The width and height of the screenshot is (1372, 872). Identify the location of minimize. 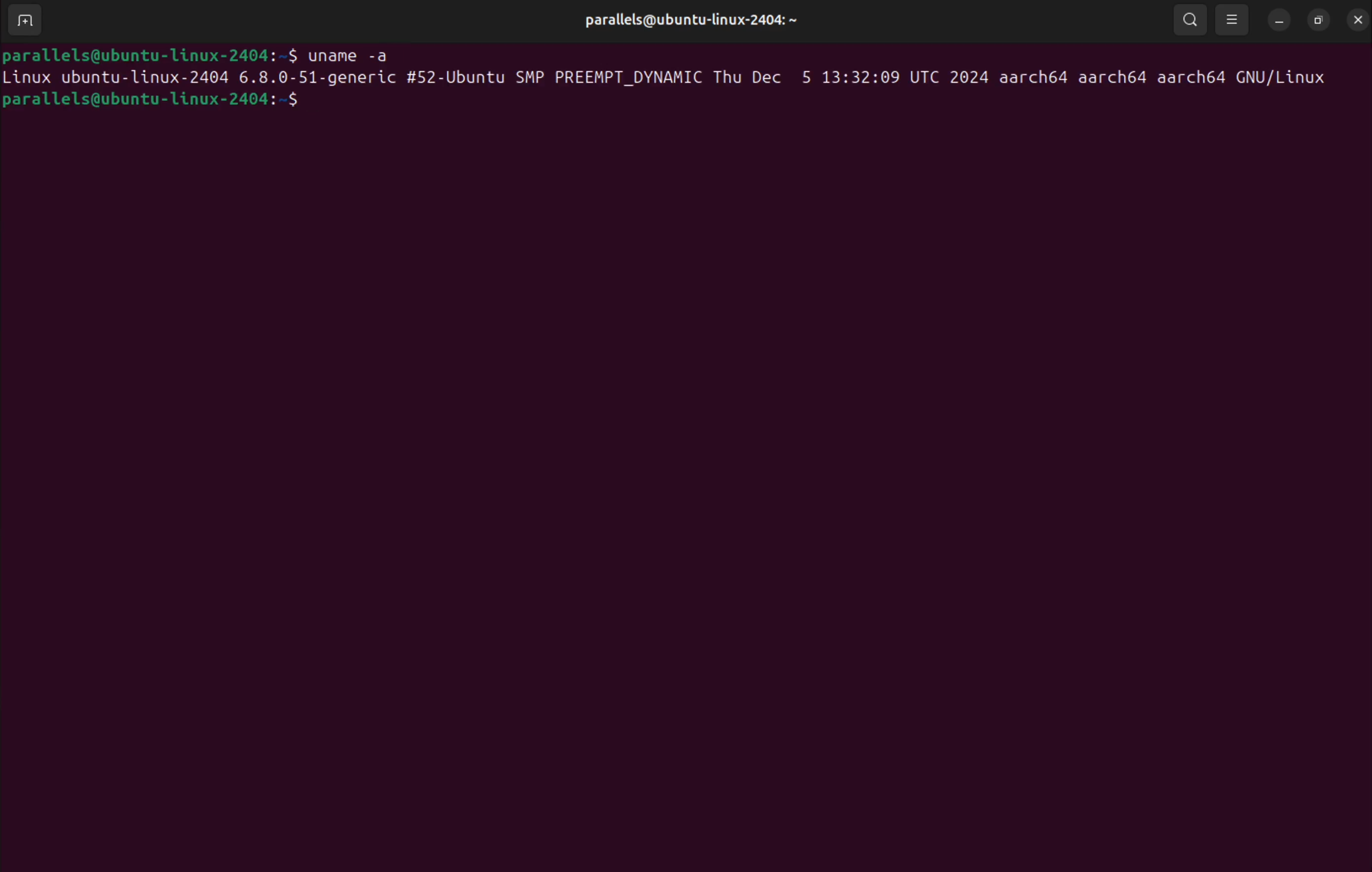
(1280, 20).